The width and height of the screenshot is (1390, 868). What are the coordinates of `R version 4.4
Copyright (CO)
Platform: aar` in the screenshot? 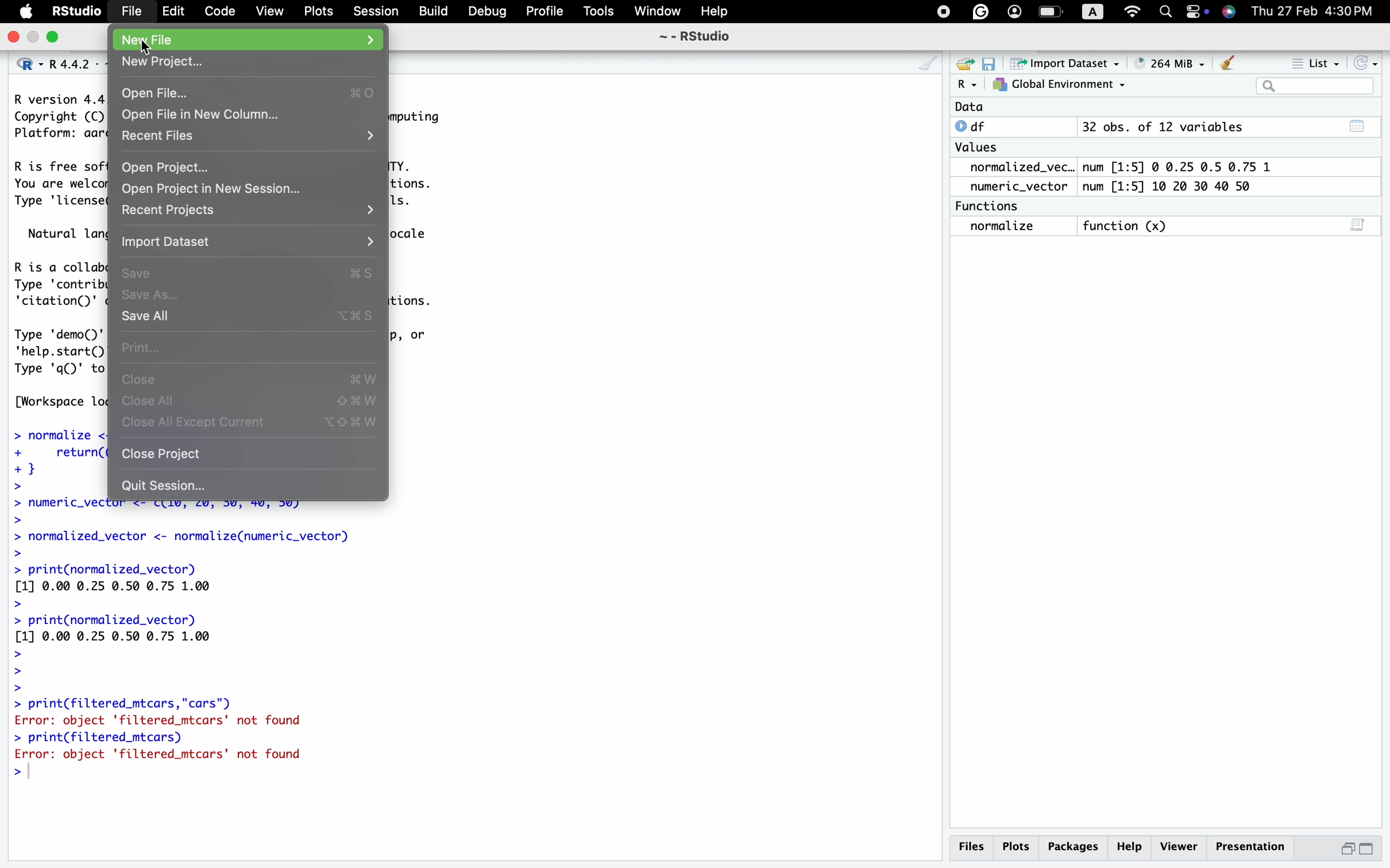 It's located at (59, 118).